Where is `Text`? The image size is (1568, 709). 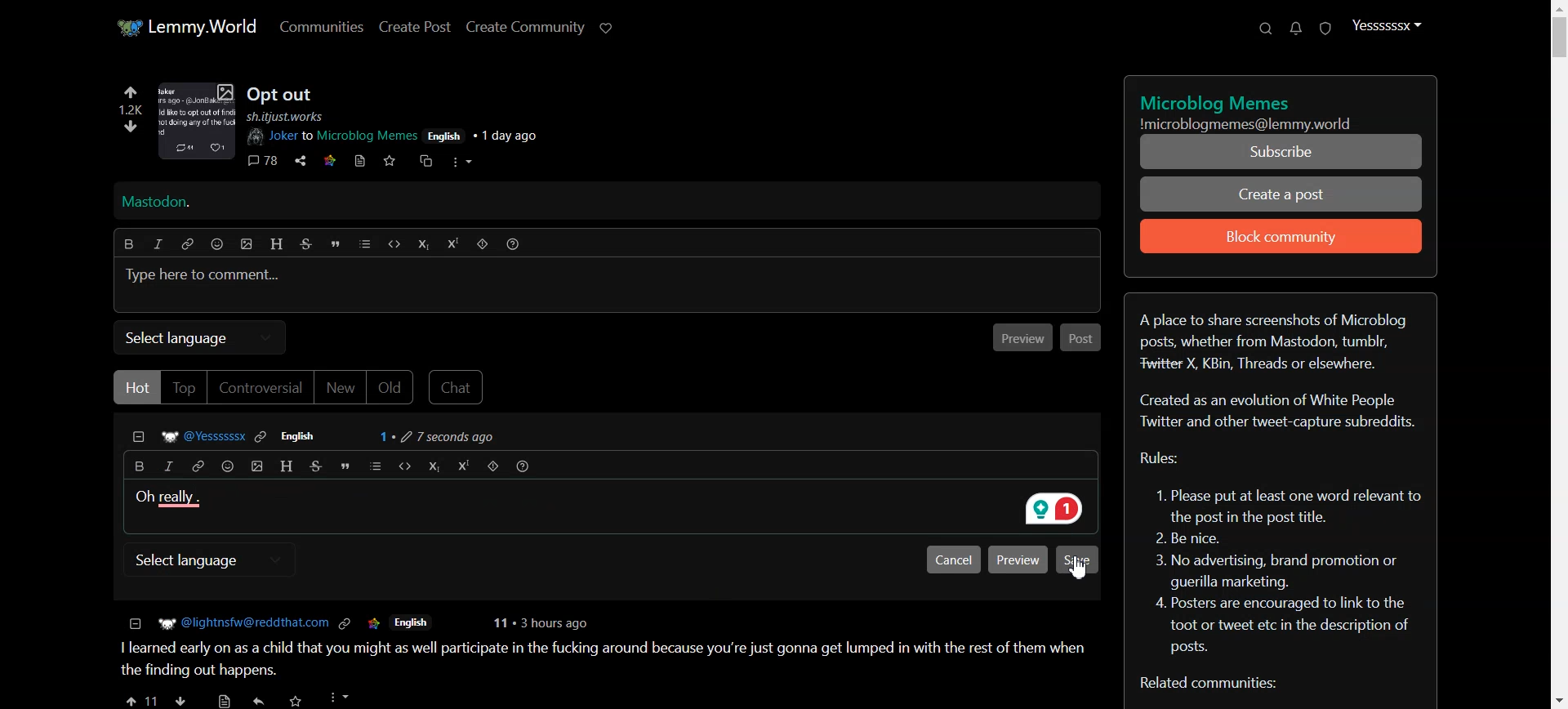
Text is located at coordinates (1282, 493).